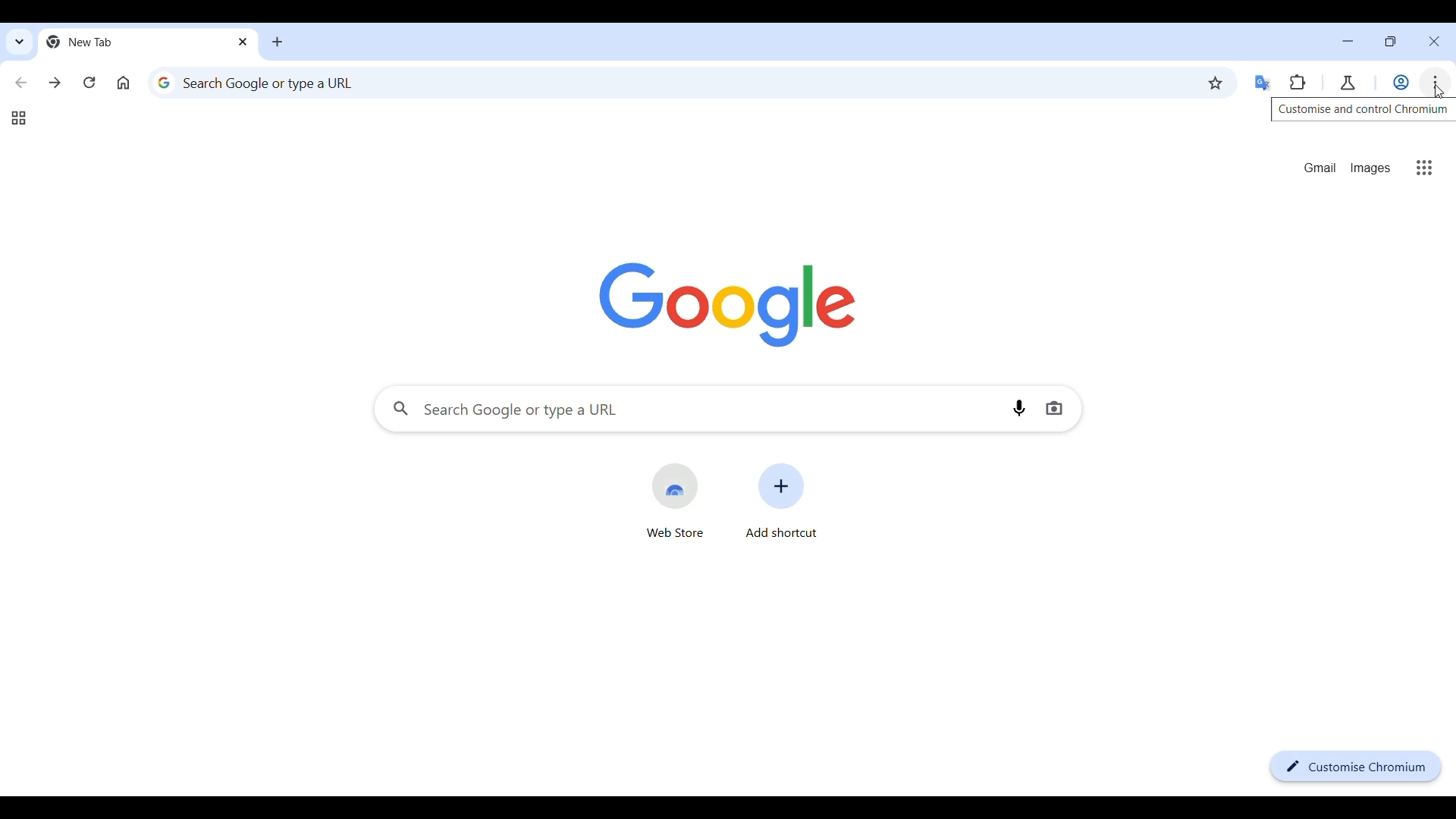 The width and height of the screenshot is (1456, 819). Describe the element at coordinates (1298, 83) in the screenshot. I see `Extensions` at that location.